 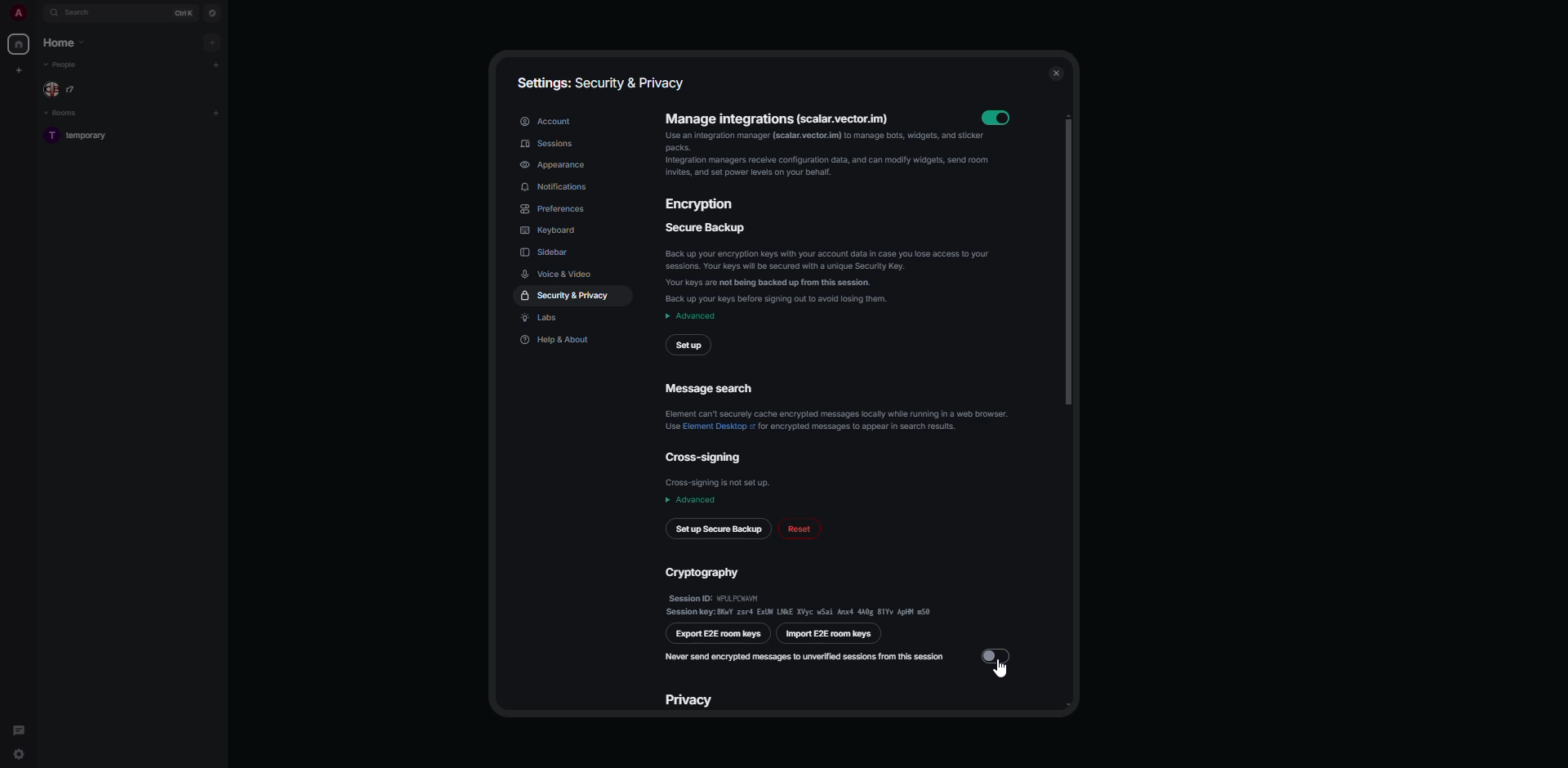 I want to click on add, so click(x=212, y=41).